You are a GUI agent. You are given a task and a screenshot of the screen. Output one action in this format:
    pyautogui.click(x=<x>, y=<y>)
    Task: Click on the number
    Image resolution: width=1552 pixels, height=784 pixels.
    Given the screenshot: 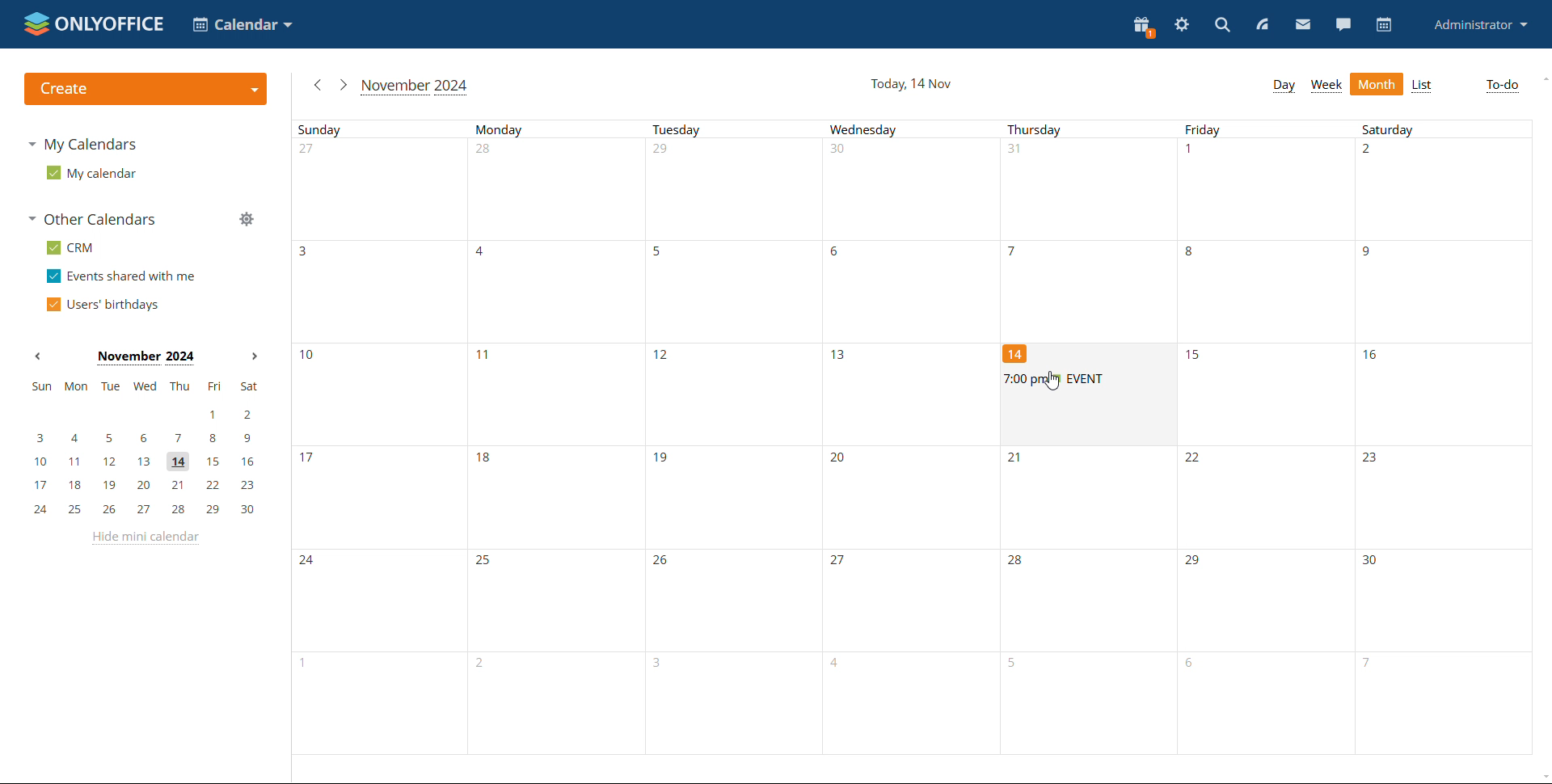 What is the action you would take?
    pyautogui.click(x=485, y=154)
    